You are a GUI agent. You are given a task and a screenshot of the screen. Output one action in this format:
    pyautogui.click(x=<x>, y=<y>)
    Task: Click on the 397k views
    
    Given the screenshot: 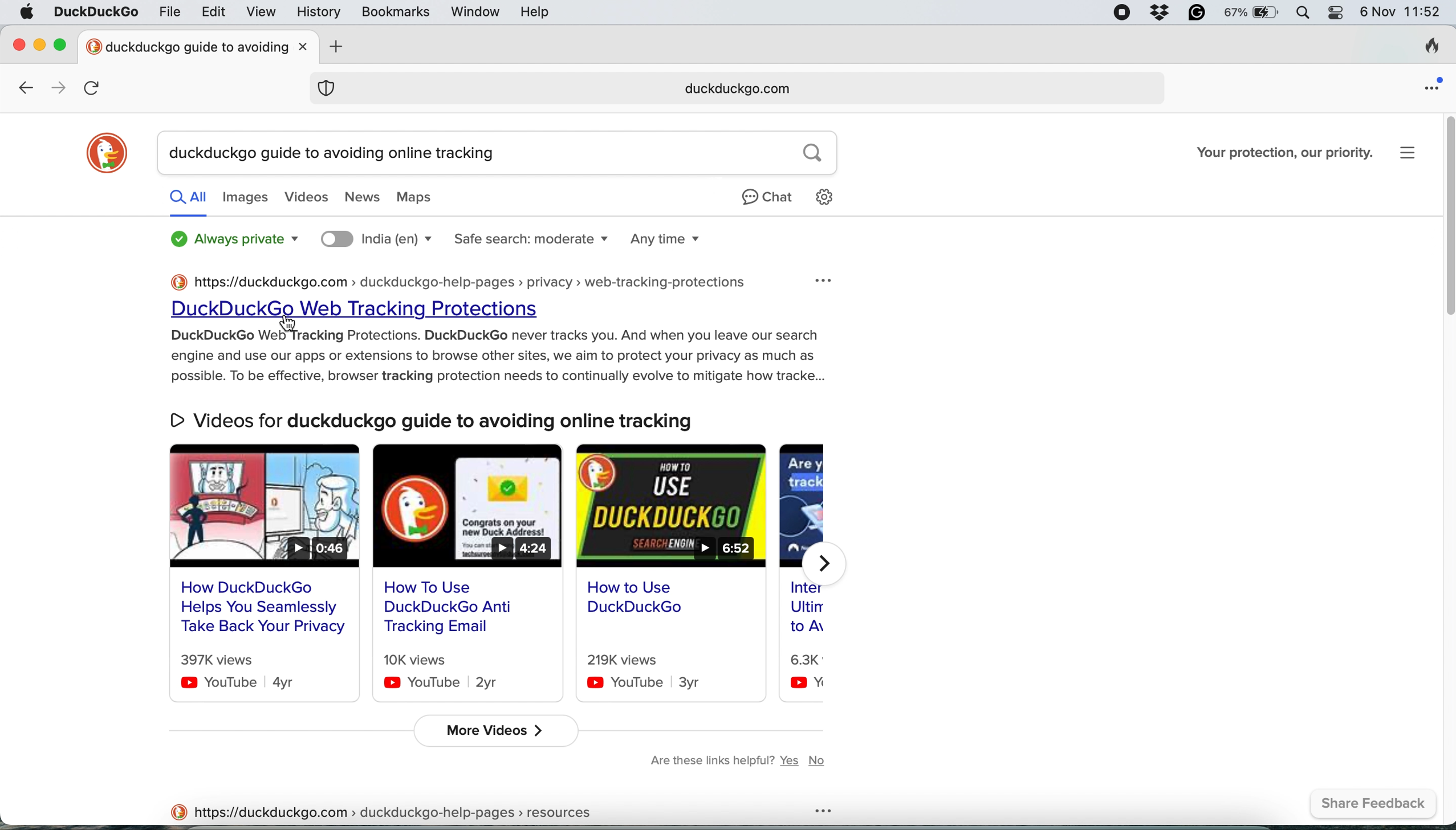 What is the action you would take?
    pyautogui.click(x=223, y=660)
    